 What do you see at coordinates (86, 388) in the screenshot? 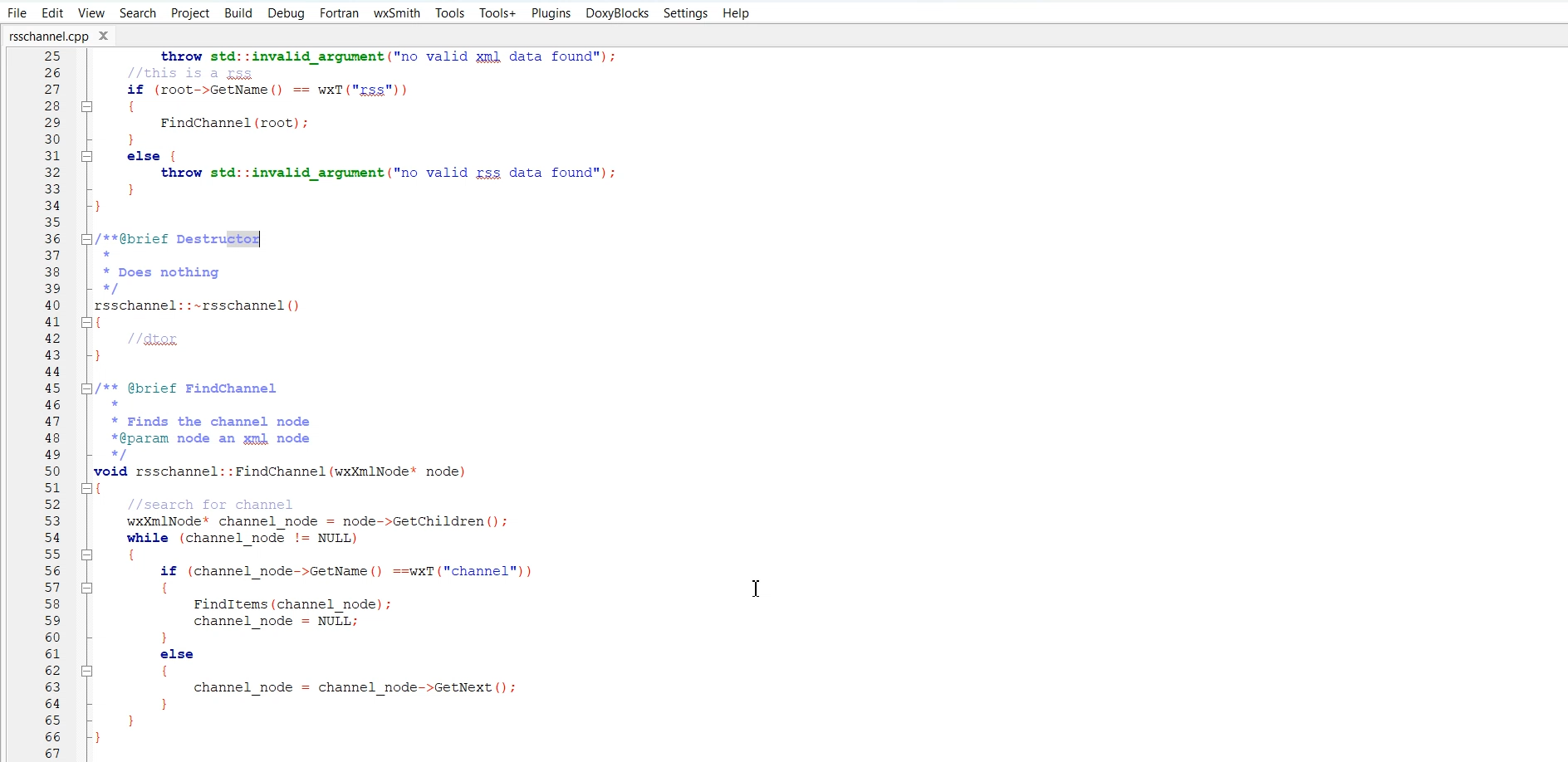
I see `Collapse` at bounding box center [86, 388].